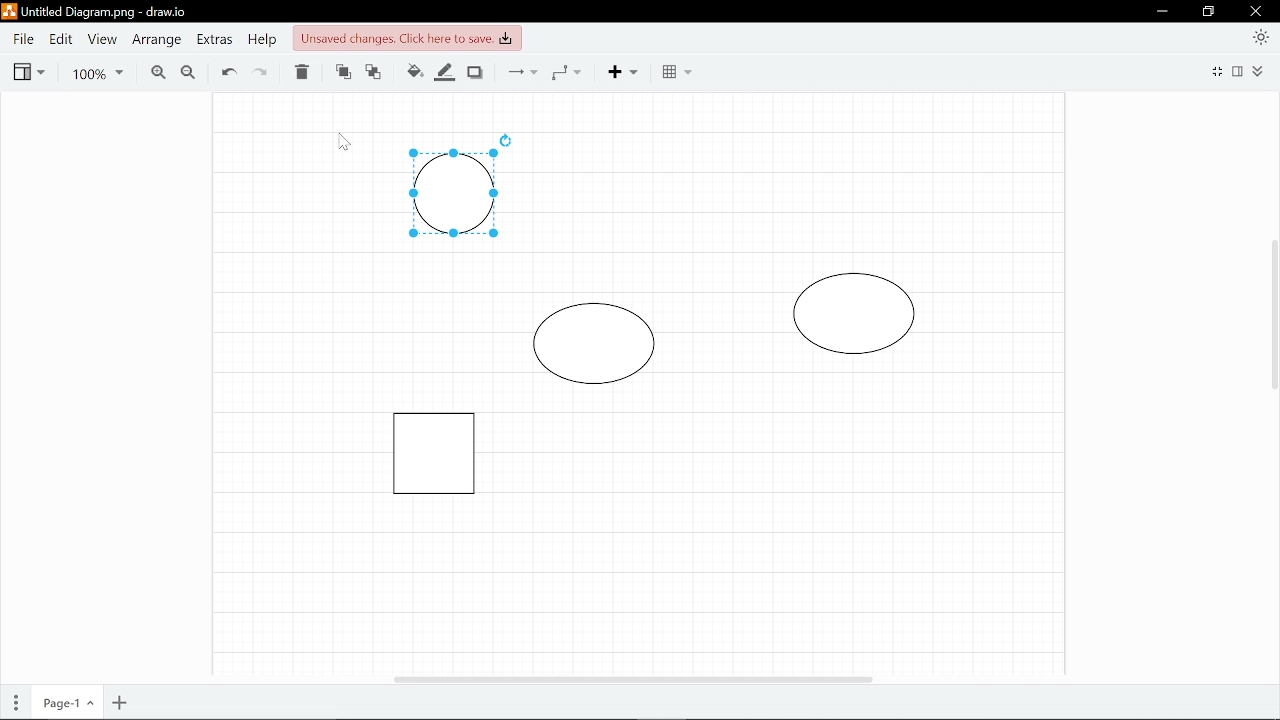 This screenshot has width=1280, height=720. I want to click on View, so click(100, 39).